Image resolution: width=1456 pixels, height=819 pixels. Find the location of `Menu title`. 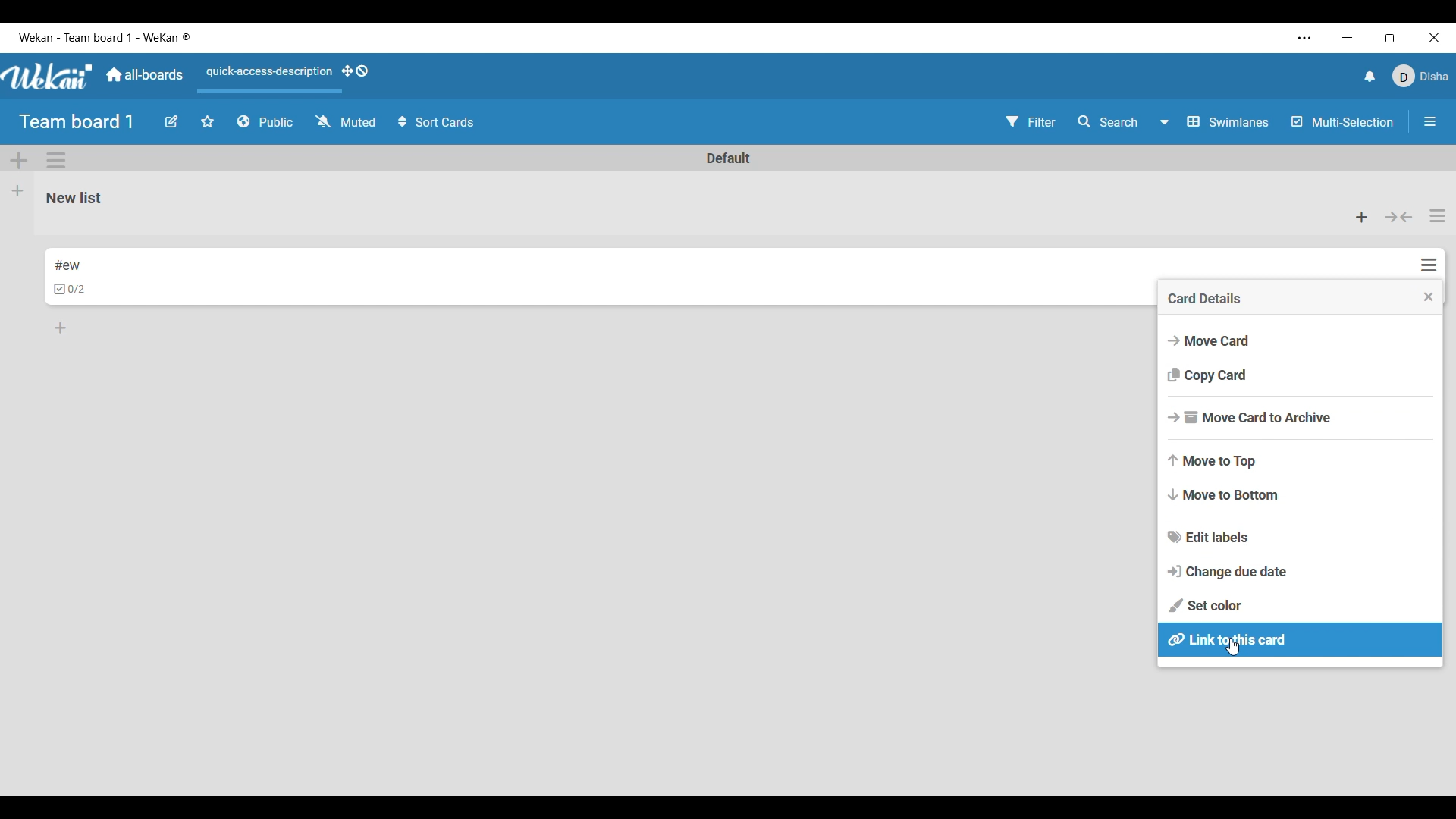

Menu title is located at coordinates (1204, 298).